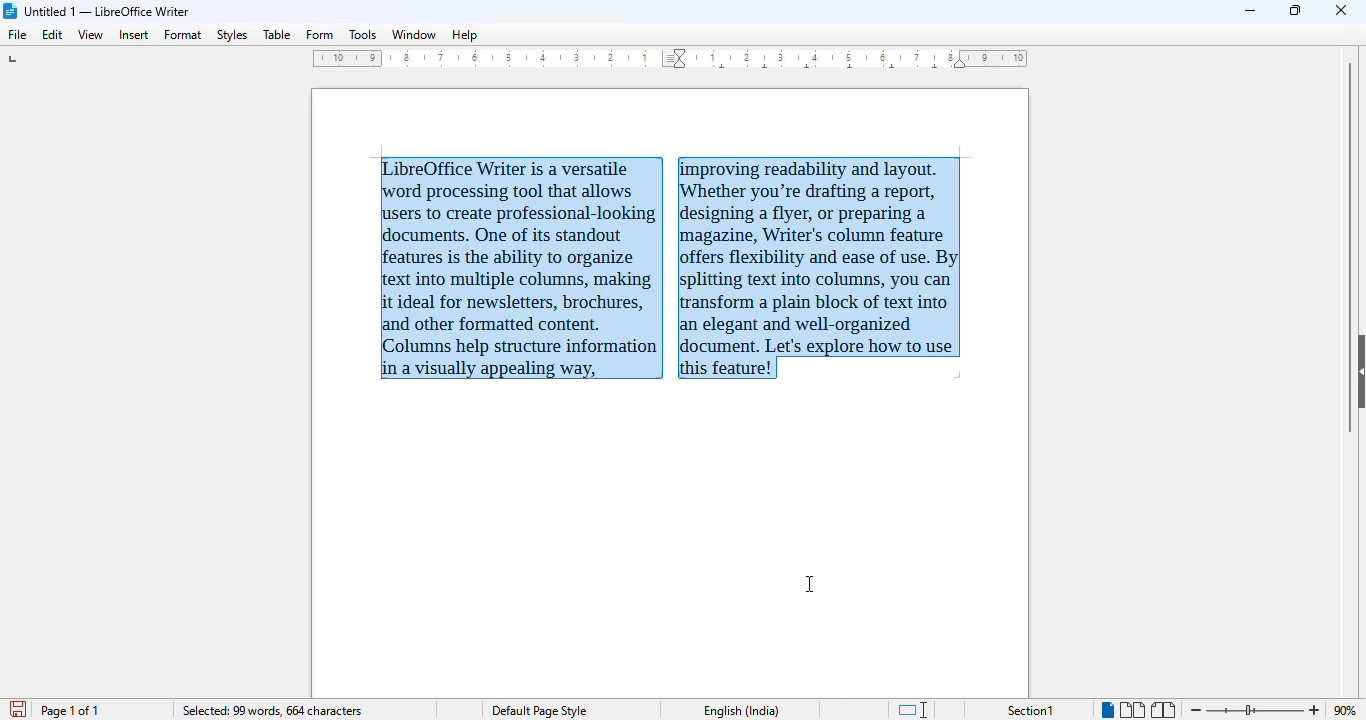 This screenshot has width=1366, height=720. Describe the element at coordinates (362, 34) in the screenshot. I see `tools` at that location.